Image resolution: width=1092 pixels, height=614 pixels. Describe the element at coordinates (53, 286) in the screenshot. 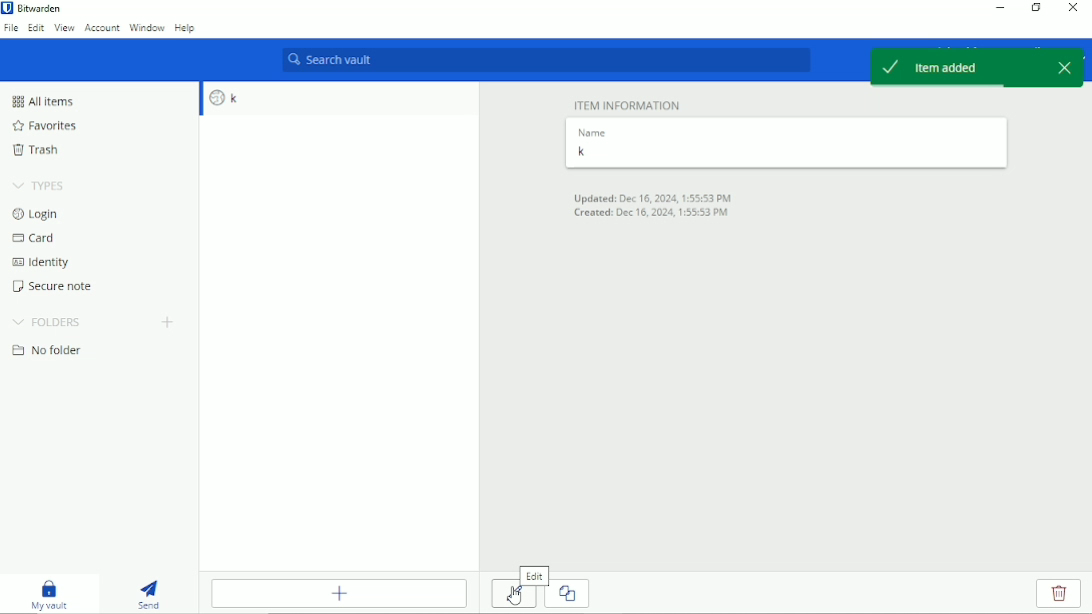

I see `Secure note` at that location.